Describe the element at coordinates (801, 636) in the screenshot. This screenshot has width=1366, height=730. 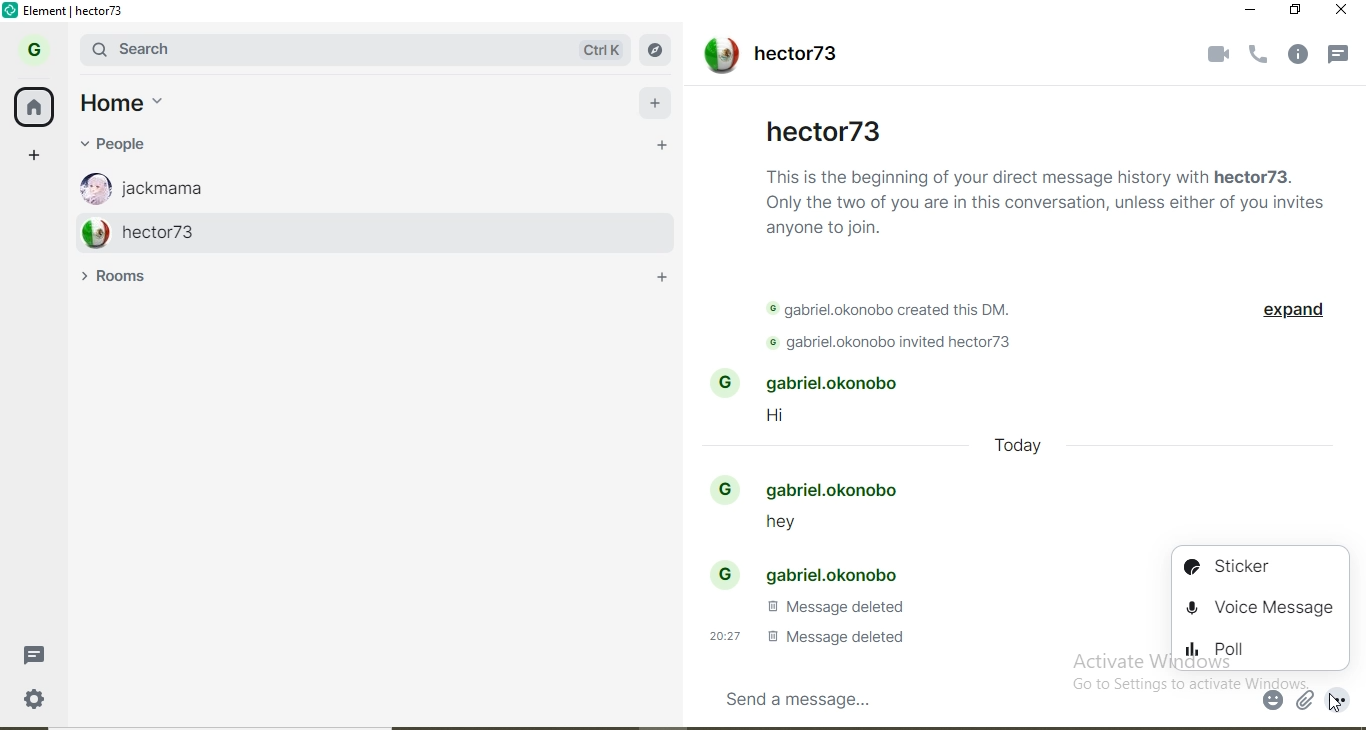
I see `text 5` at that location.